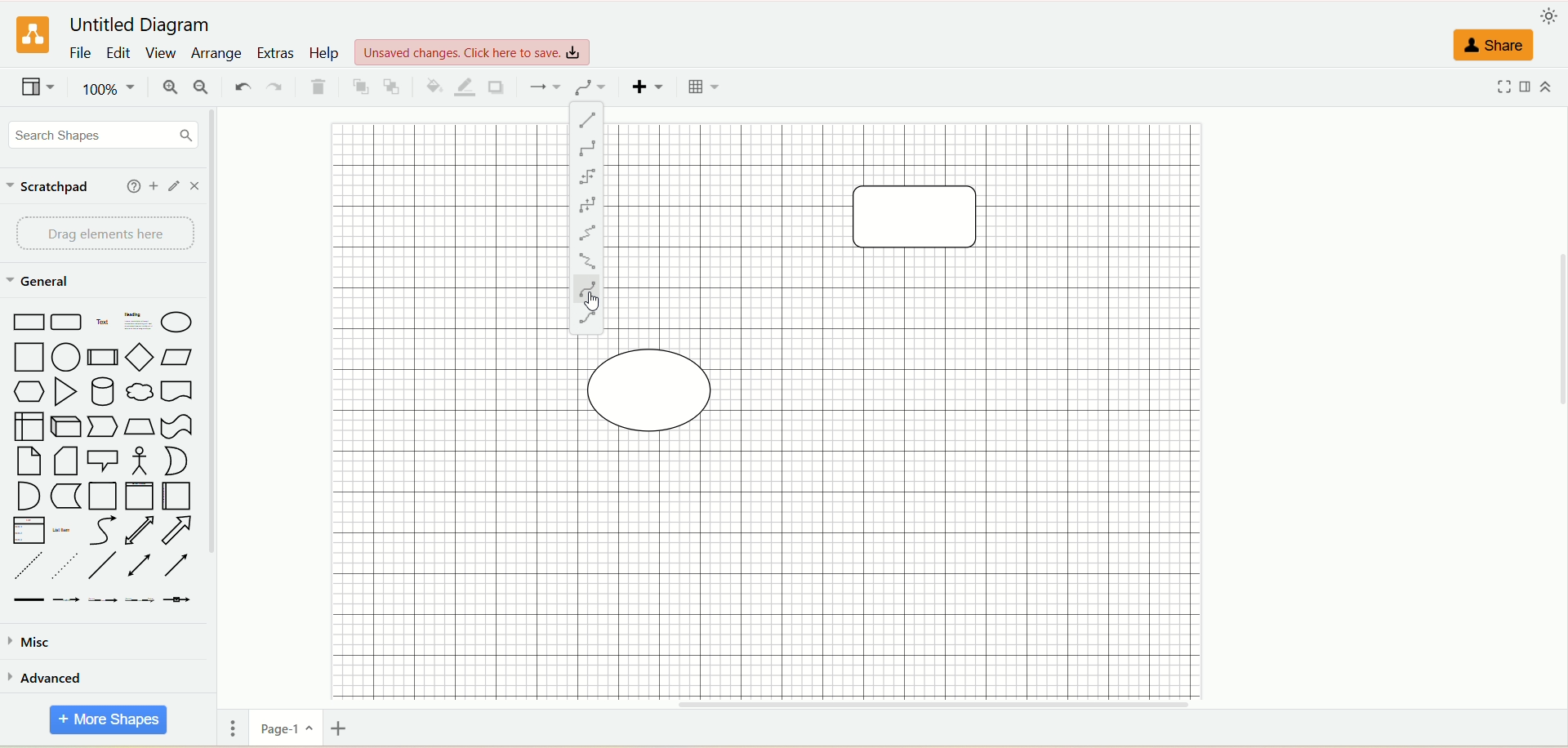  Describe the element at coordinates (239, 86) in the screenshot. I see `undo` at that location.